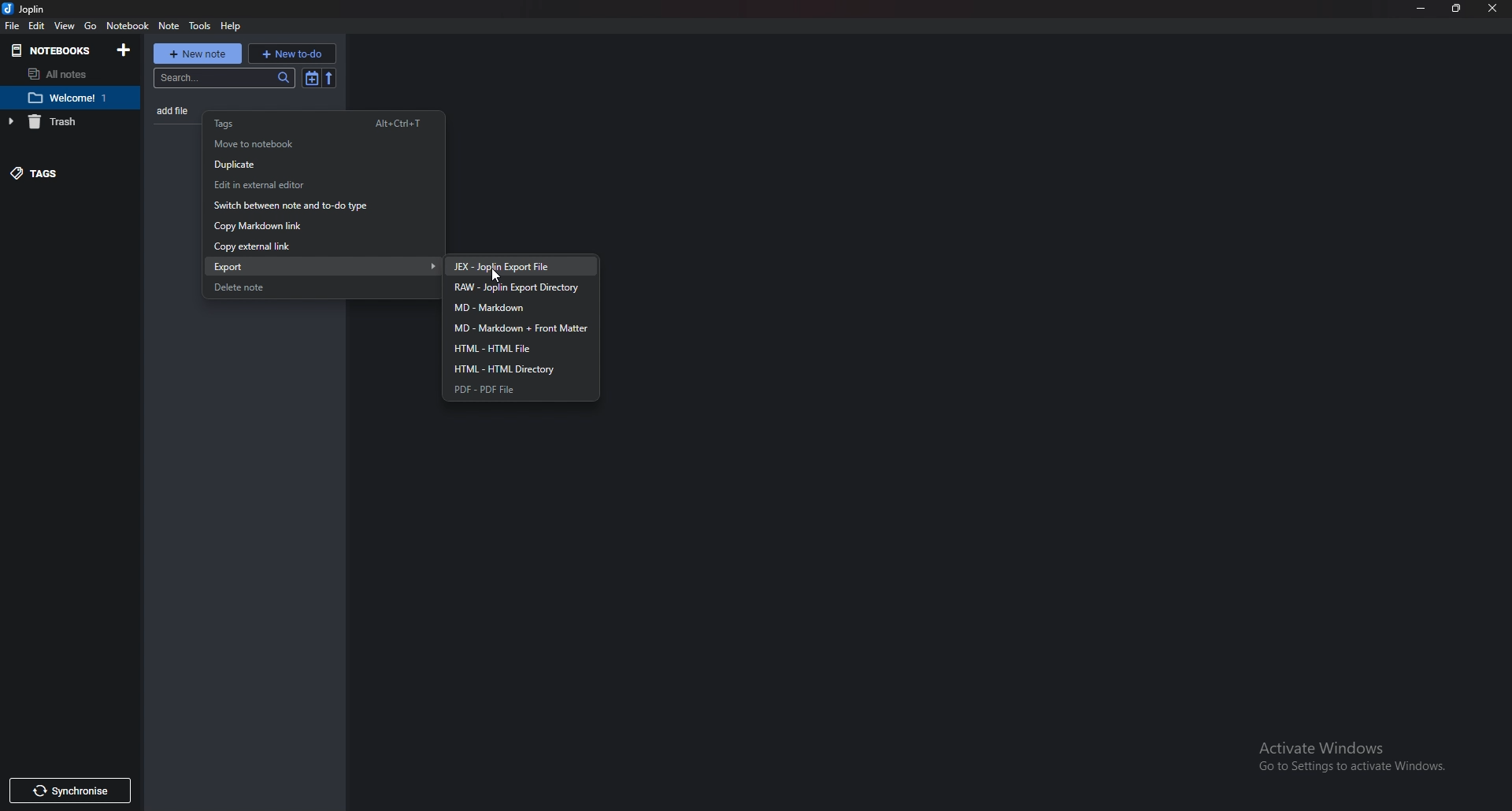 This screenshot has height=811, width=1512. What do you see at coordinates (521, 266) in the screenshot?
I see `jex` at bounding box center [521, 266].